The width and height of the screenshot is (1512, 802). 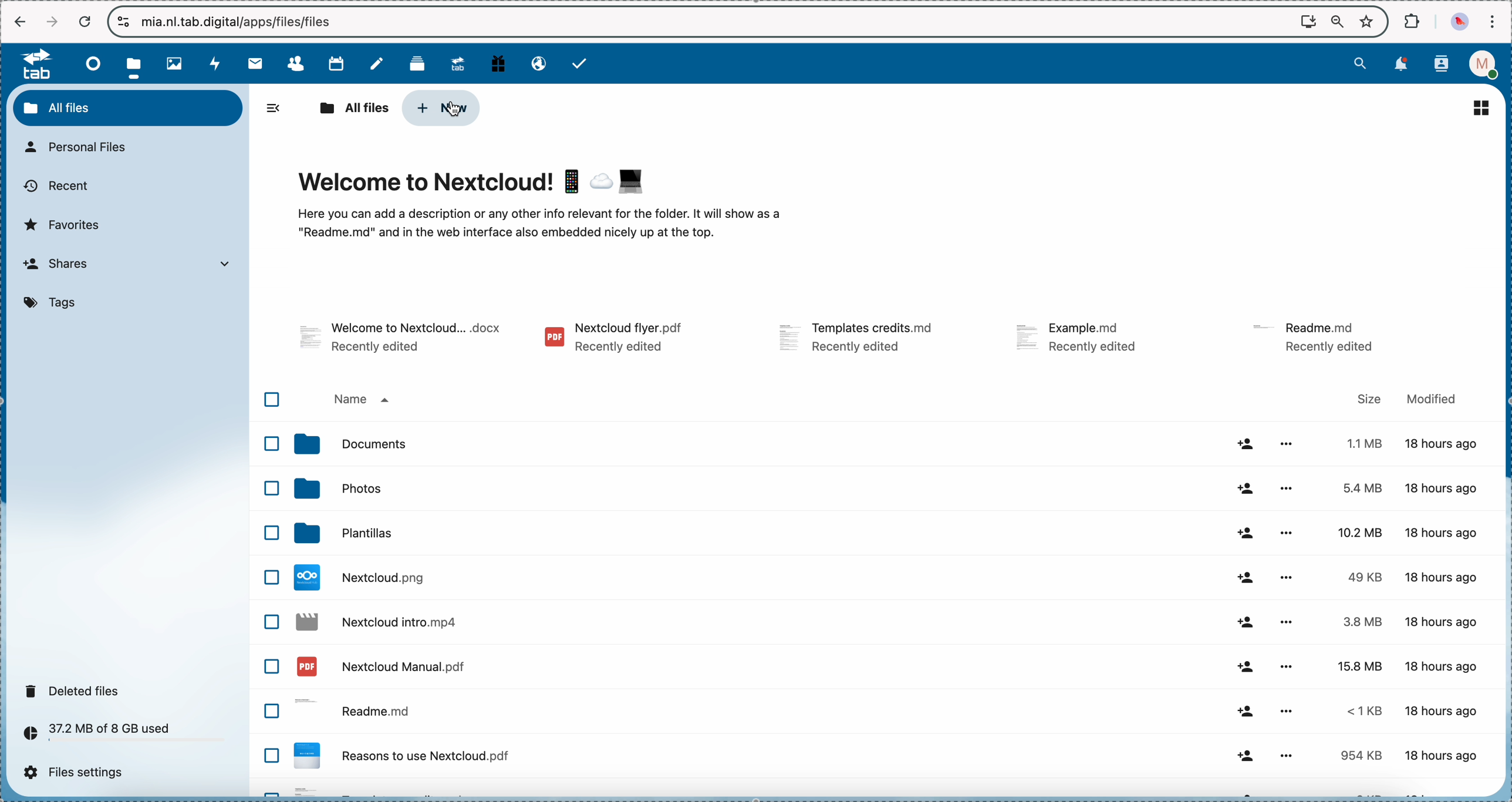 I want to click on deleted files, so click(x=76, y=690).